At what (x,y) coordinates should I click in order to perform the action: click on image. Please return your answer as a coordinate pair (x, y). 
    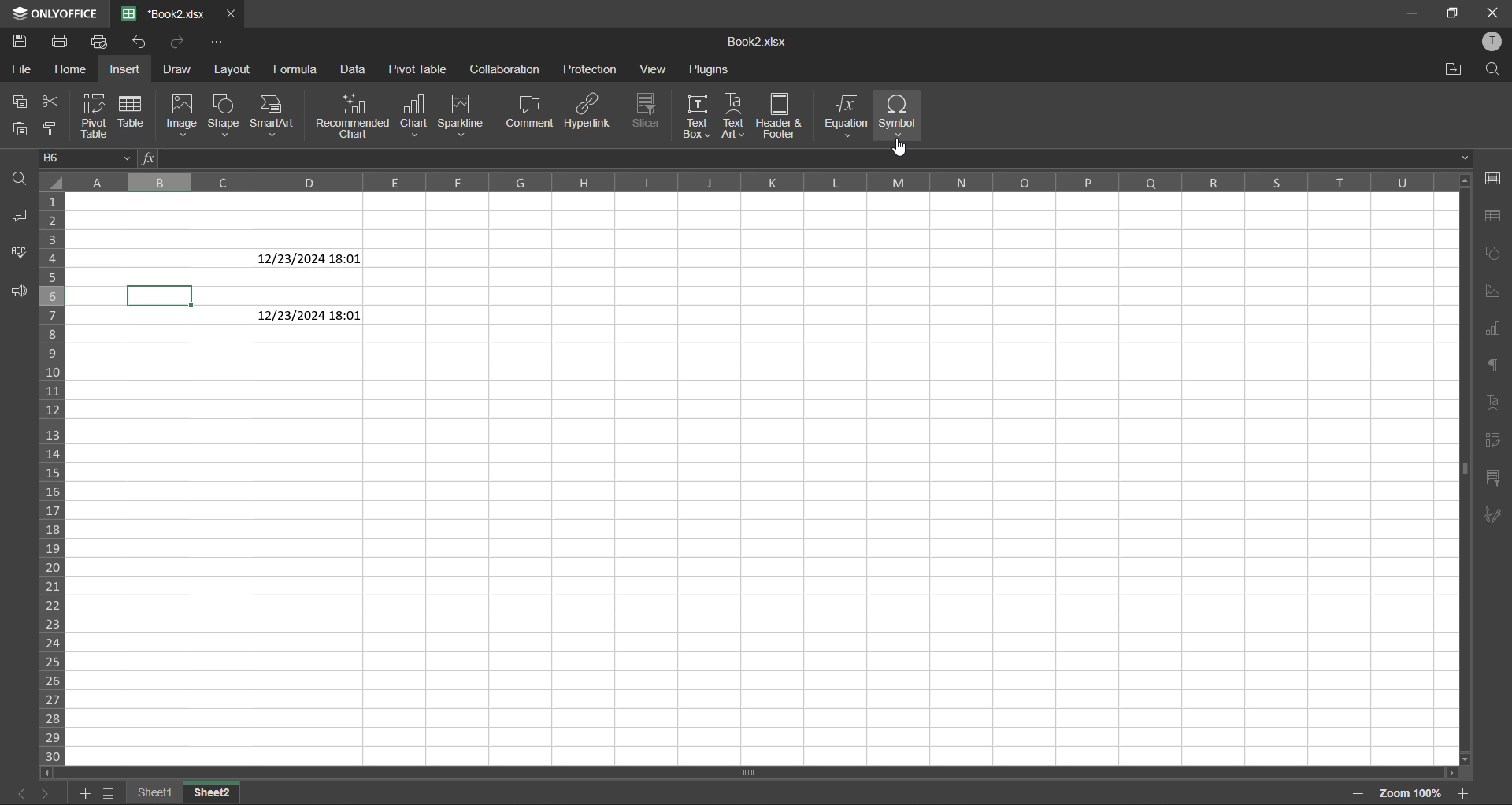
    Looking at the image, I should click on (1492, 291).